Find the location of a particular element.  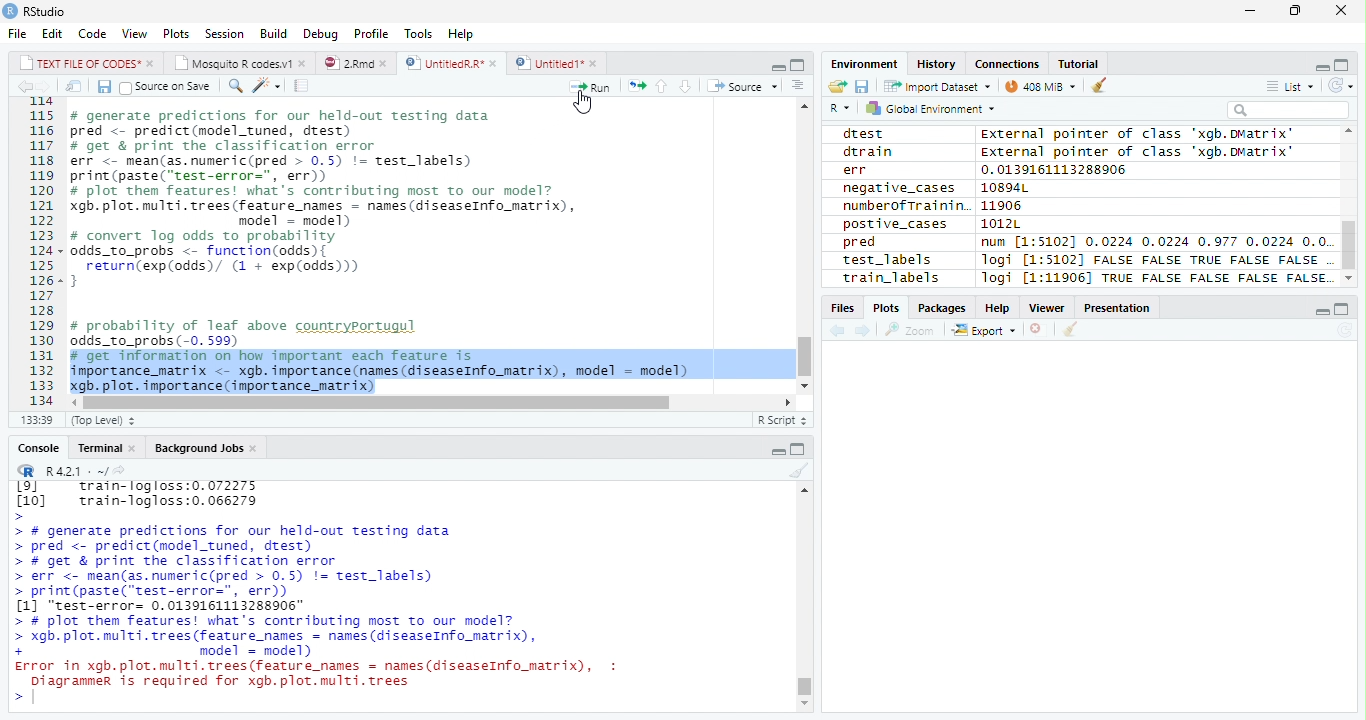

List is located at coordinates (1289, 85).